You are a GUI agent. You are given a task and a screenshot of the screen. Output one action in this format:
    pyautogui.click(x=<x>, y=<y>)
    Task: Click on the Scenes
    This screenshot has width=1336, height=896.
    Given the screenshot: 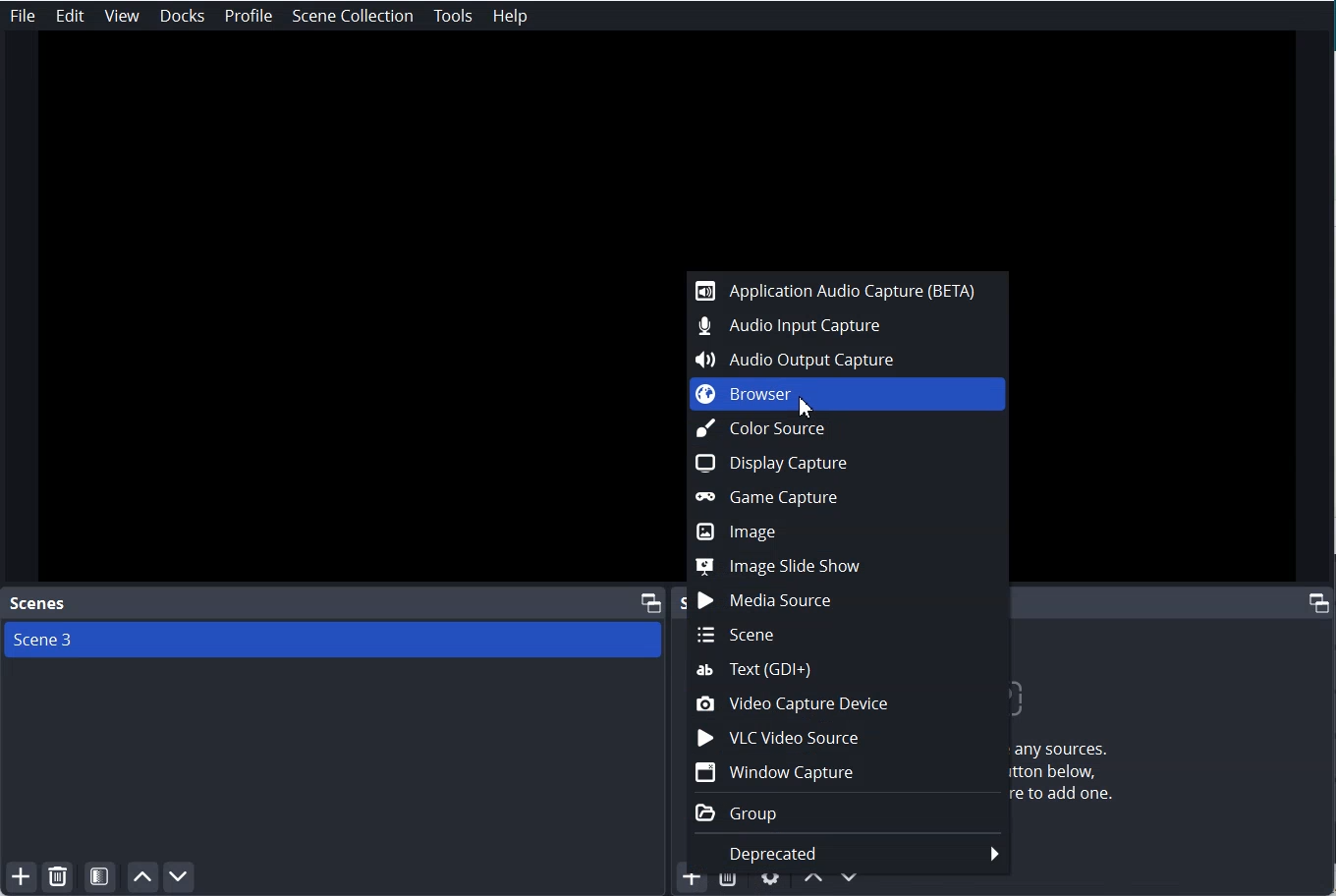 What is the action you would take?
    pyautogui.click(x=35, y=603)
    